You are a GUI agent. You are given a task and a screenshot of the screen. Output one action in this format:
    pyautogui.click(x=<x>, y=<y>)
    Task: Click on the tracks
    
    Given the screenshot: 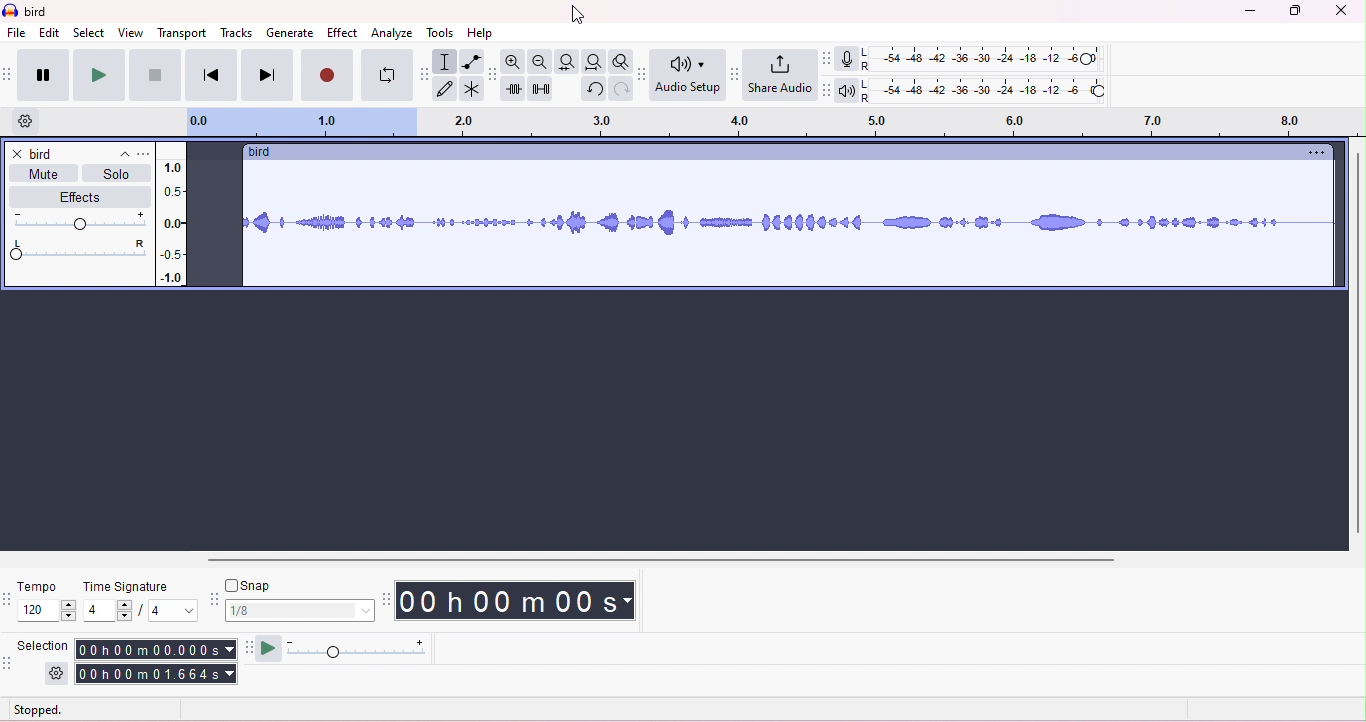 What is the action you would take?
    pyautogui.click(x=237, y=34)
    